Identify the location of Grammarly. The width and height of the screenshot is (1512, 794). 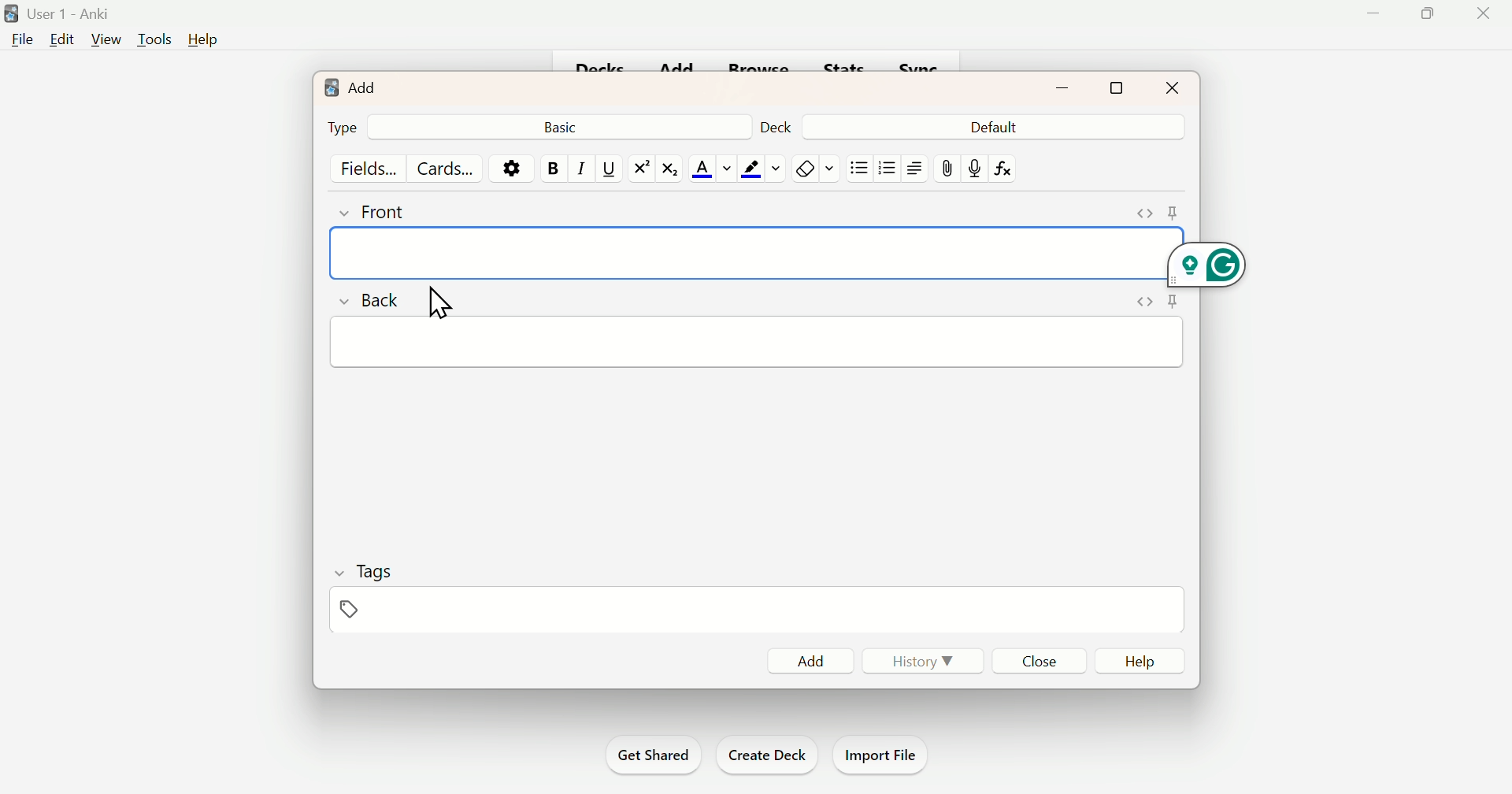
(1223, 273).